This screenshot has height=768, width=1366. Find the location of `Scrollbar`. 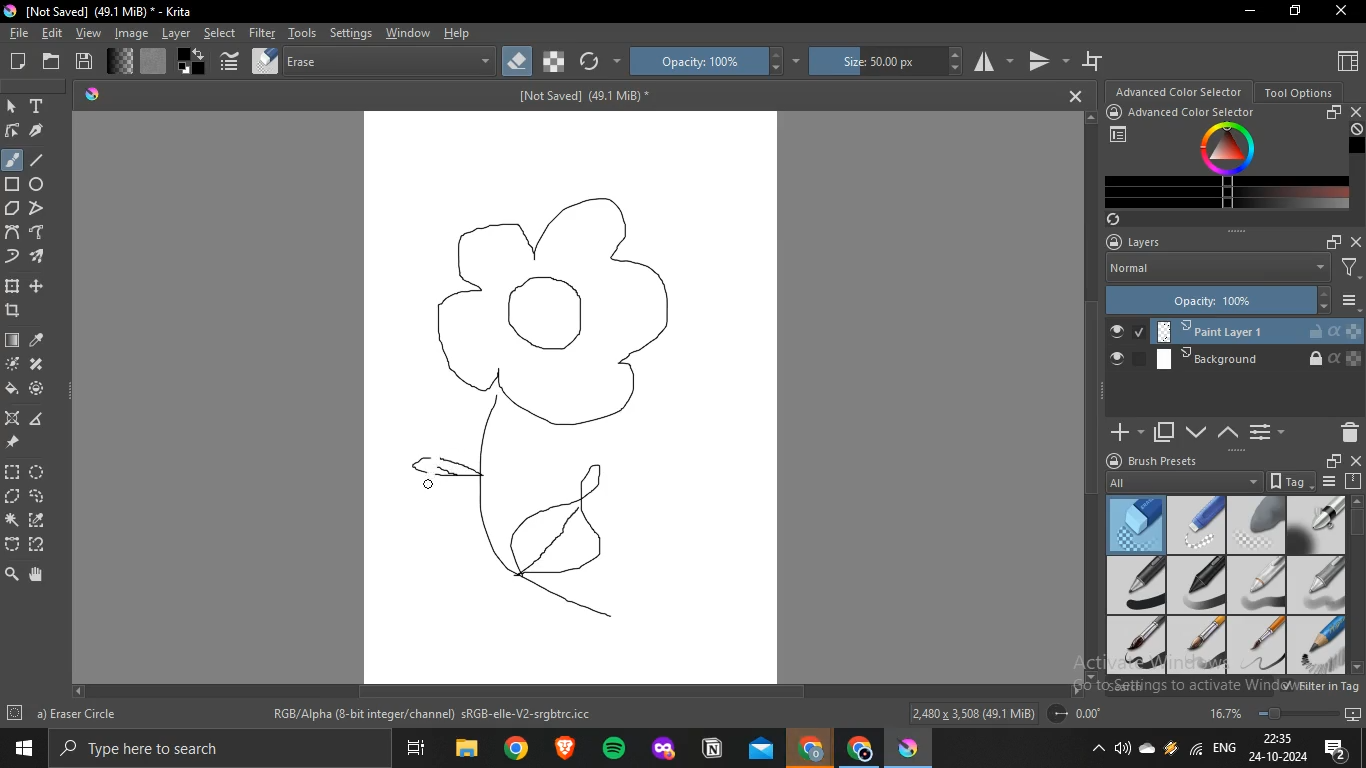

Scrollbar is located at coordinates (1357, 574).